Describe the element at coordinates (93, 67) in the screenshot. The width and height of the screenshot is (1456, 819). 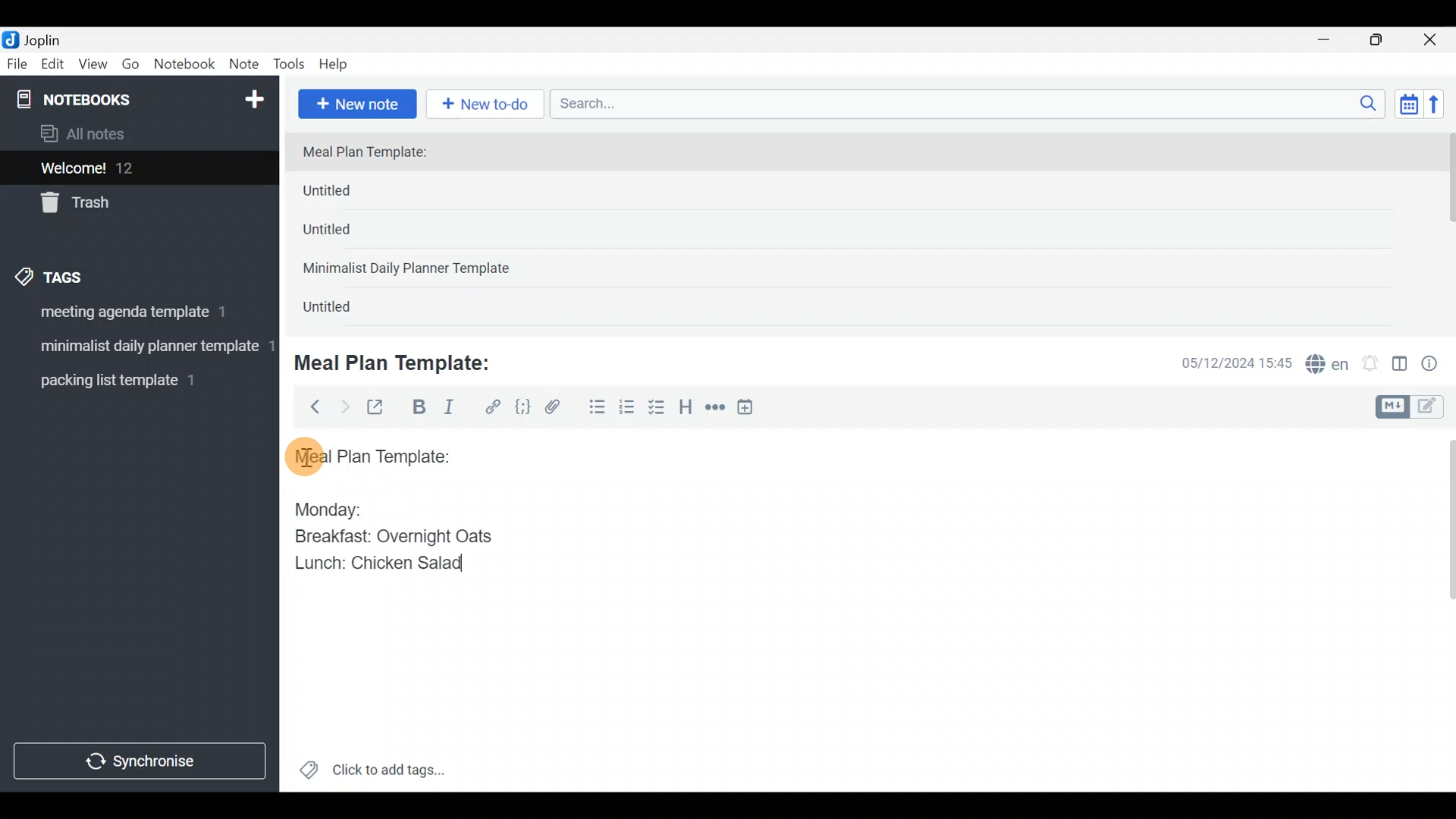
I see `View` at that location.